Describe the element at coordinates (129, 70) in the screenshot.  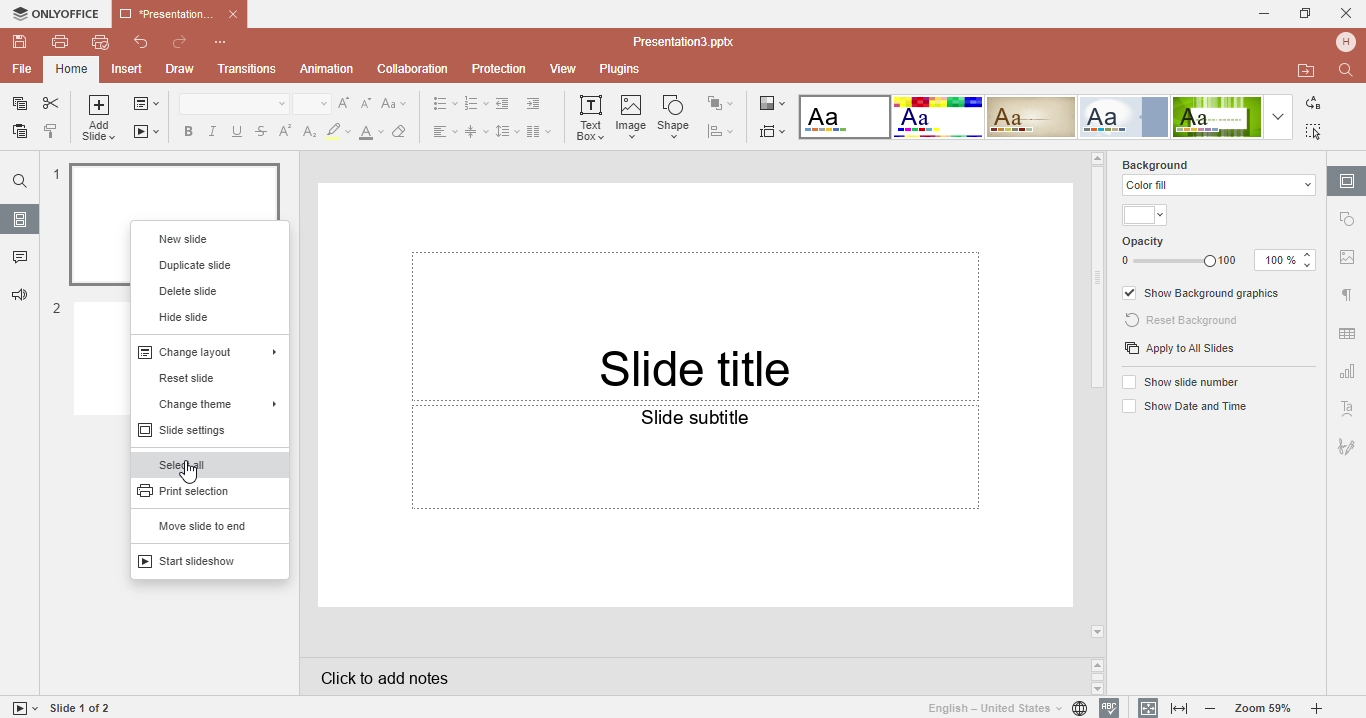
I see `Insert` at that location.